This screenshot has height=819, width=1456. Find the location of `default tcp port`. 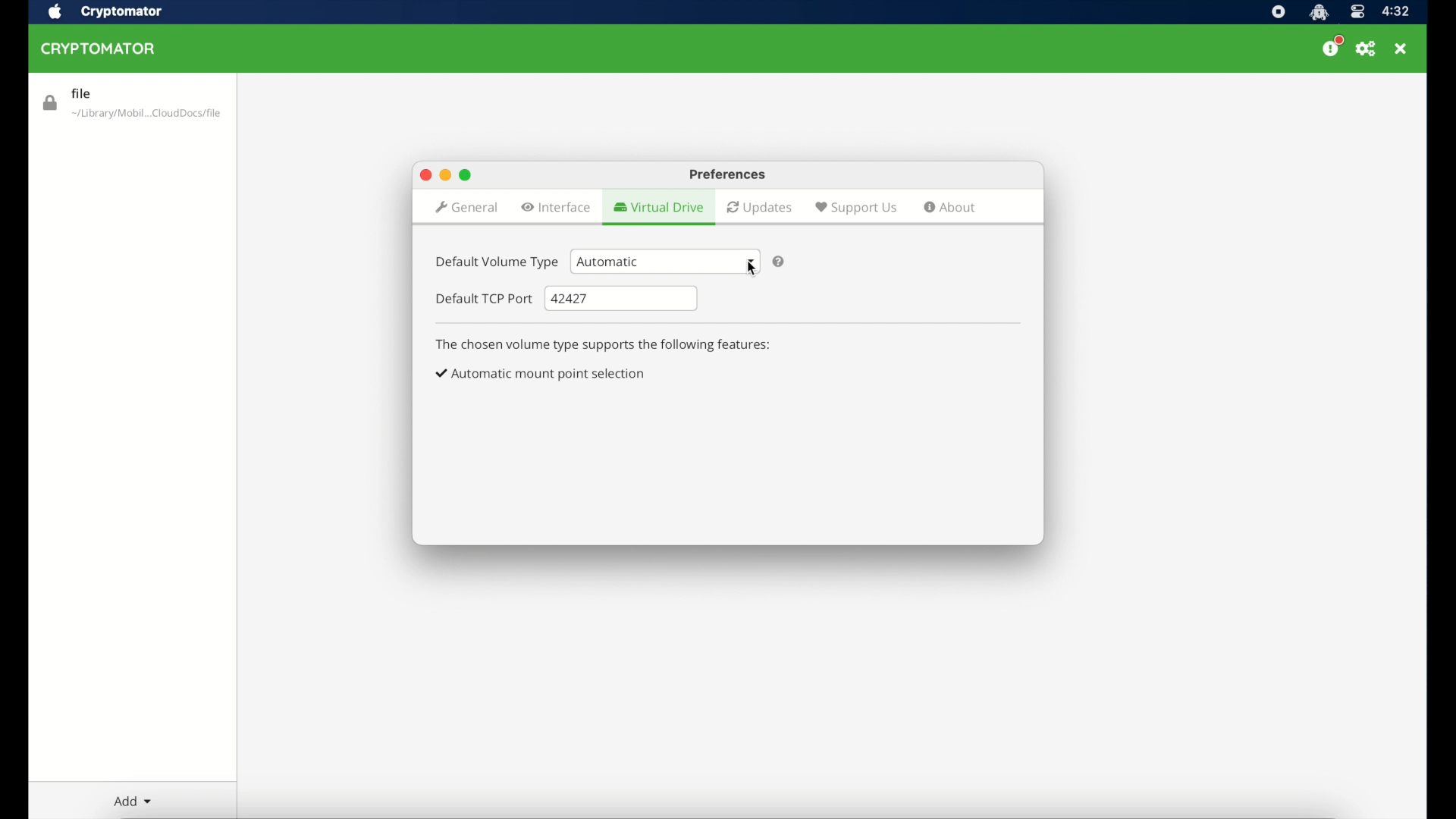

default tcp port is located at coordinates (485, 299).